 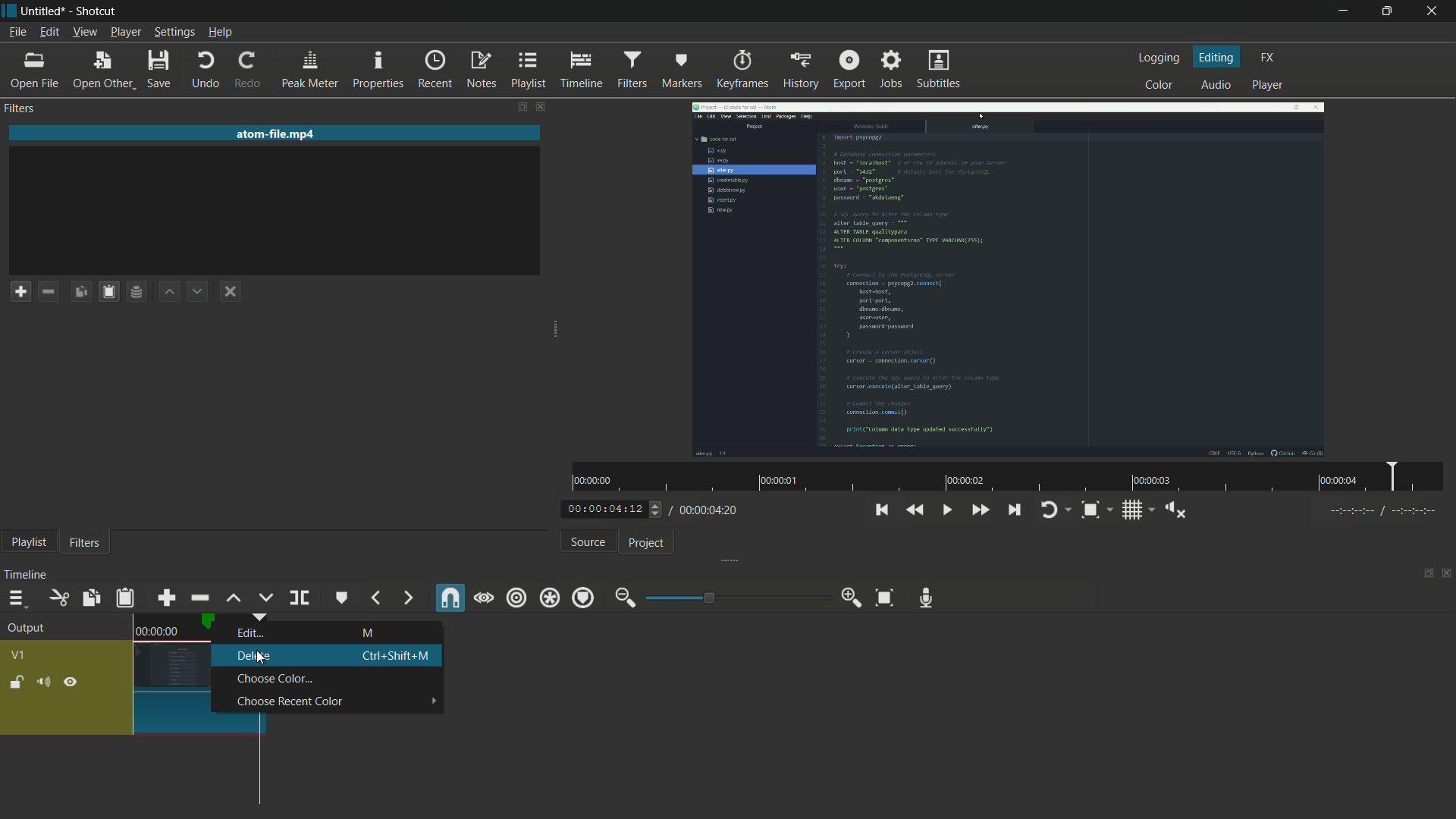 What do you see at coordinates (80, 293) in the screenshot?
I see `copy checked filters` at bounding box center [80, 293].